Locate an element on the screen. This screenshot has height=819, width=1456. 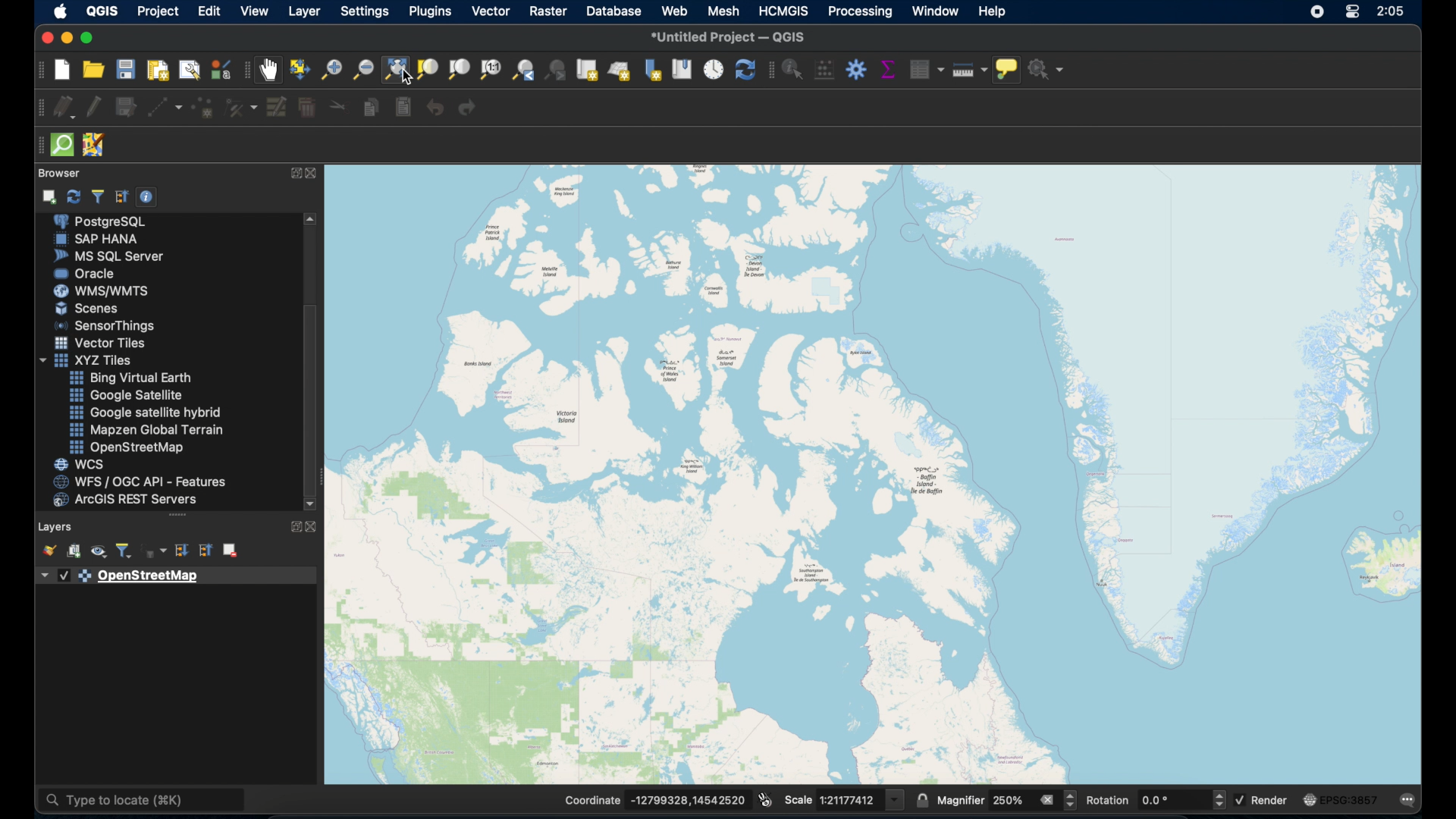
show map tips is located at coordinates (1007, 69).